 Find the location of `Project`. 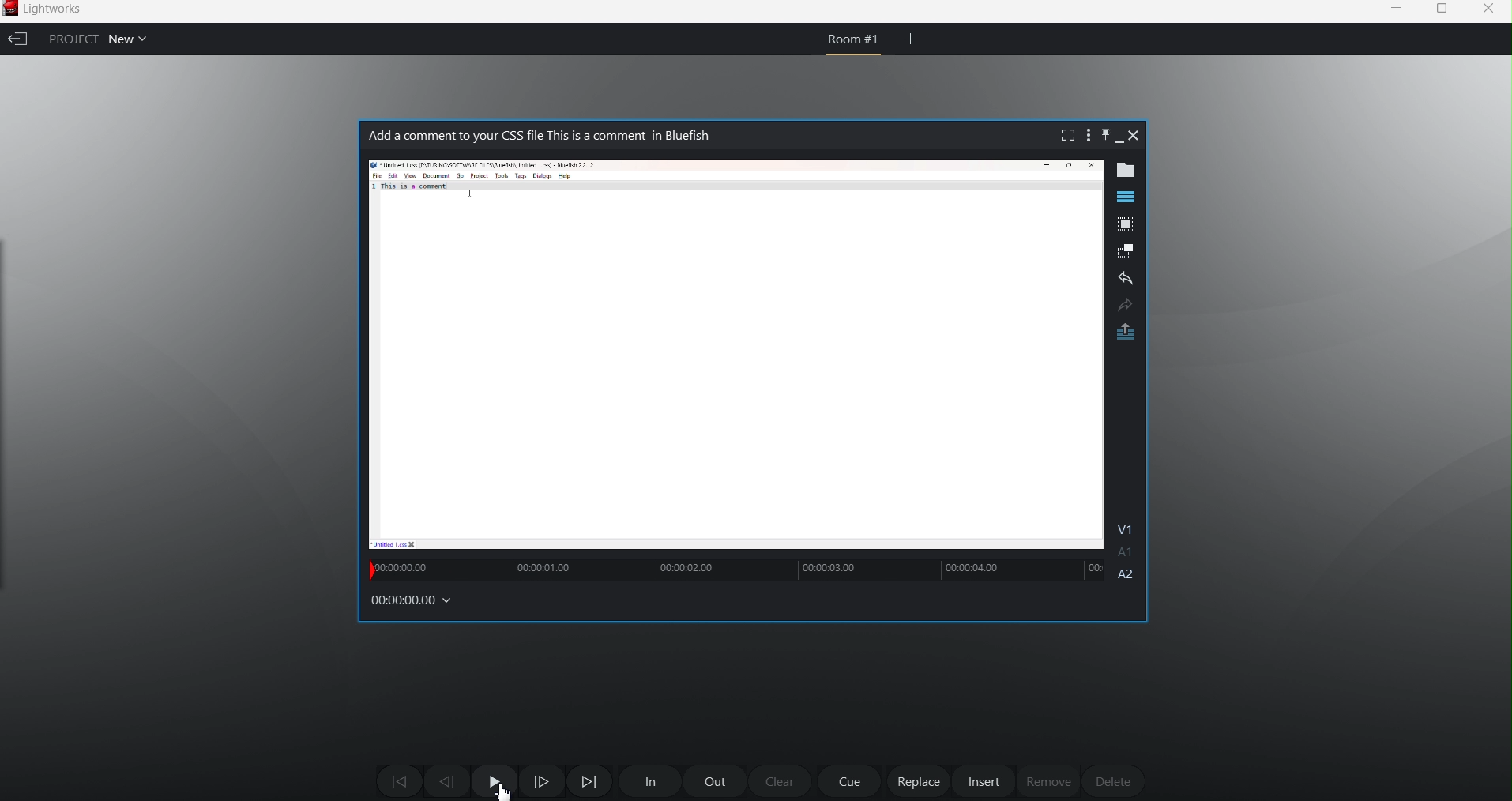

Project is located at coordinates (69, 38).